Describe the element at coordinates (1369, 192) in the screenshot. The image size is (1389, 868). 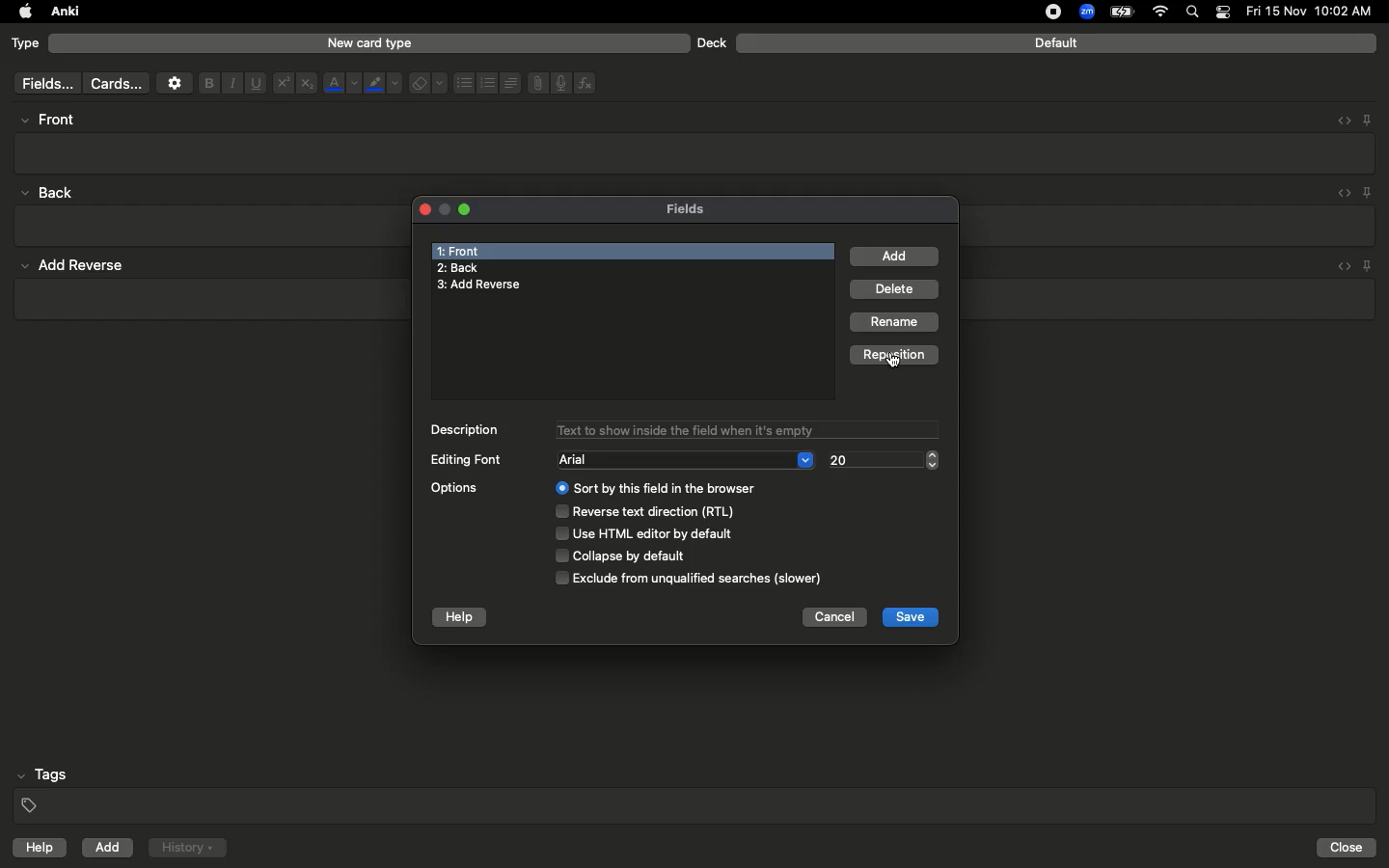
I see `Pin` at that location.